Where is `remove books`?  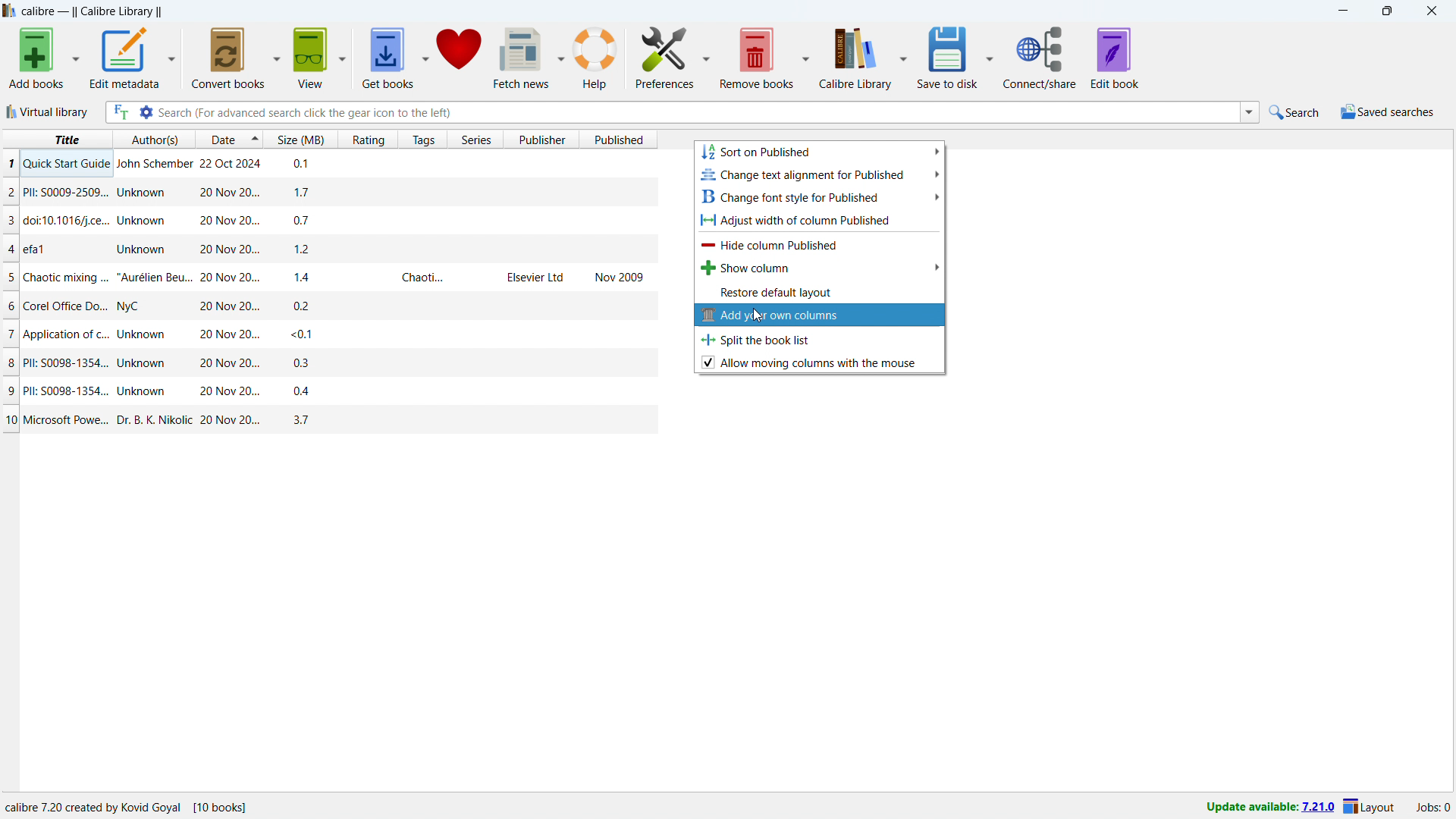 remove books is located at coordinates (757, 56).